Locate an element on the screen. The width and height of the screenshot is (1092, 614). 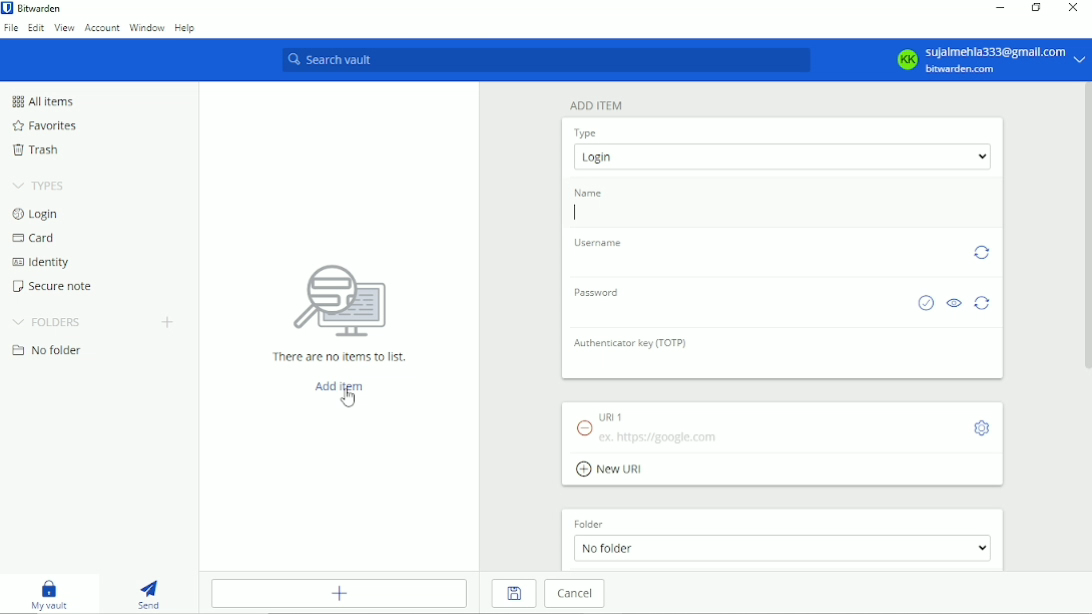
Add item is located at coordinates (339, 386).